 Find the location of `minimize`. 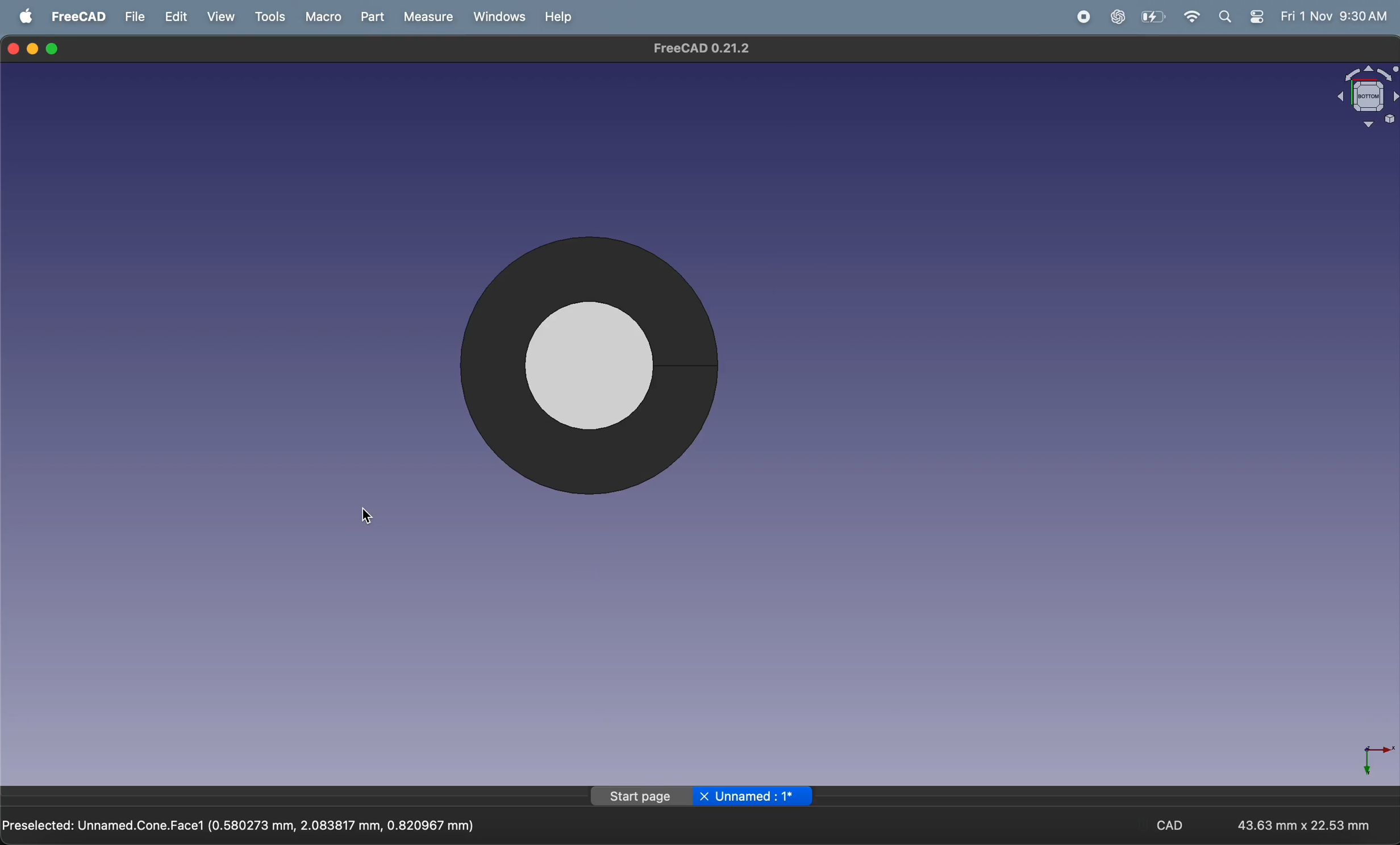

minimize is located at coordinates (35, 48).